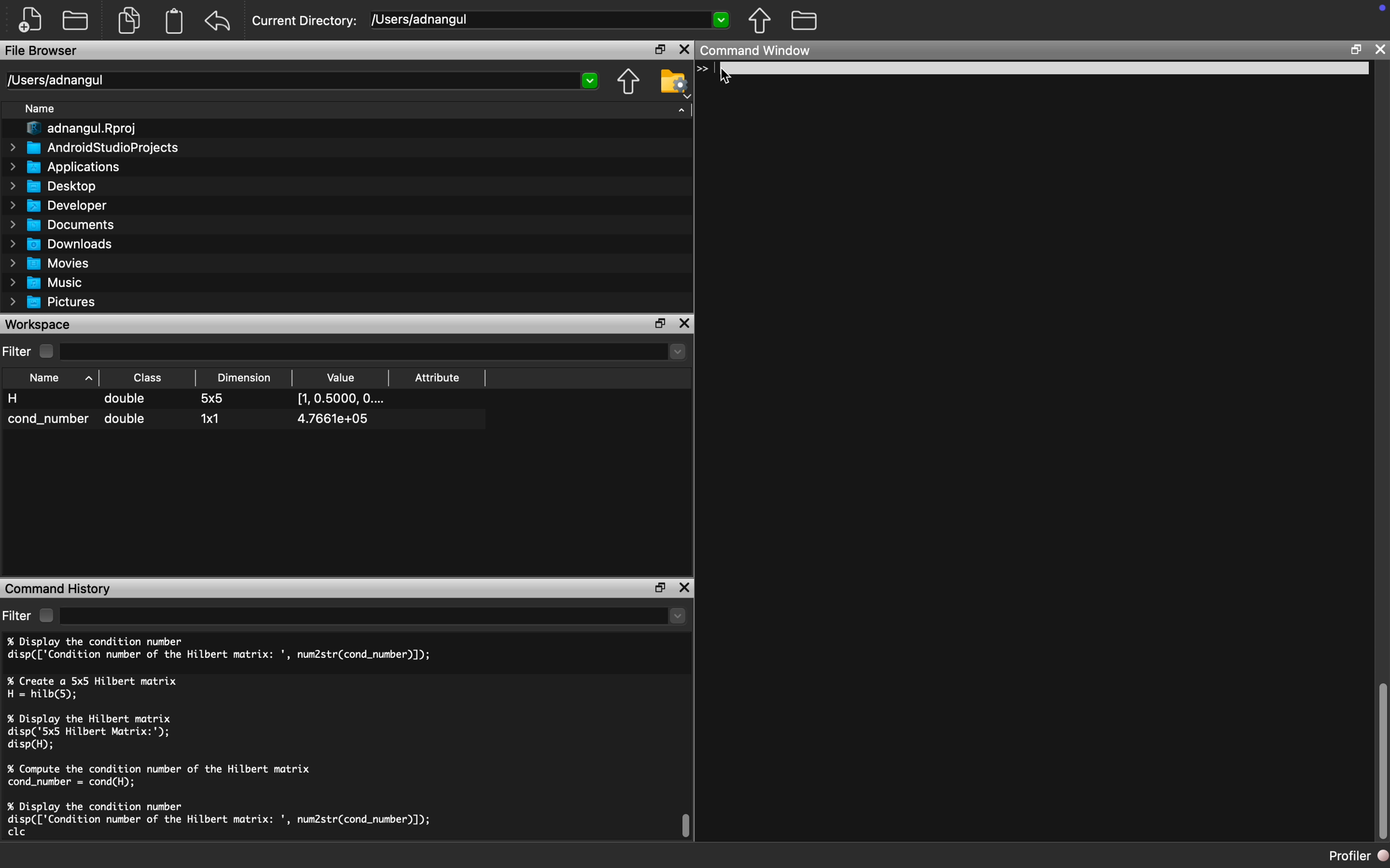 The image size is (1390, 868). What do you see at coordinates (61, 243) in the screenshot?
I see `Downloads` at bounding box center [61, 243].